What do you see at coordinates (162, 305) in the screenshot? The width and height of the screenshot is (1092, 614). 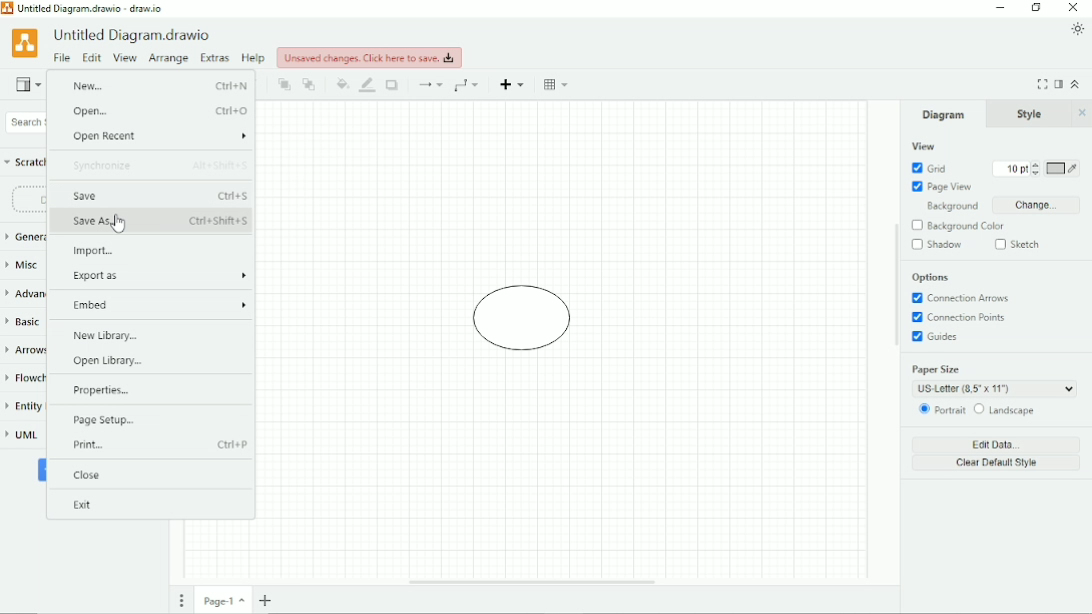 I see `Embed` at bounding box center [162, 305].